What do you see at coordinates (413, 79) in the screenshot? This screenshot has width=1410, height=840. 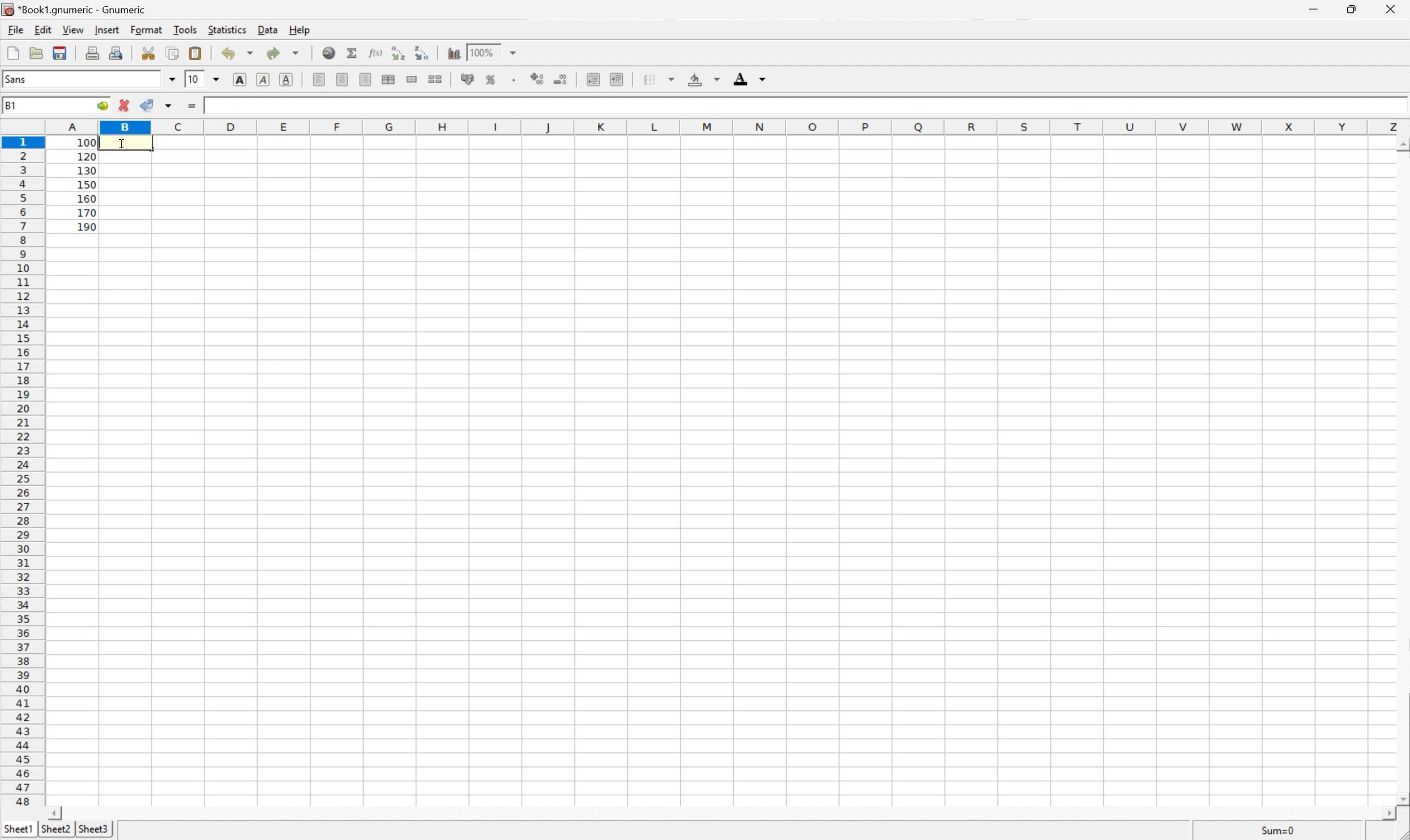 I see `Merge ranges of cells` at bounding box center [413, 79].